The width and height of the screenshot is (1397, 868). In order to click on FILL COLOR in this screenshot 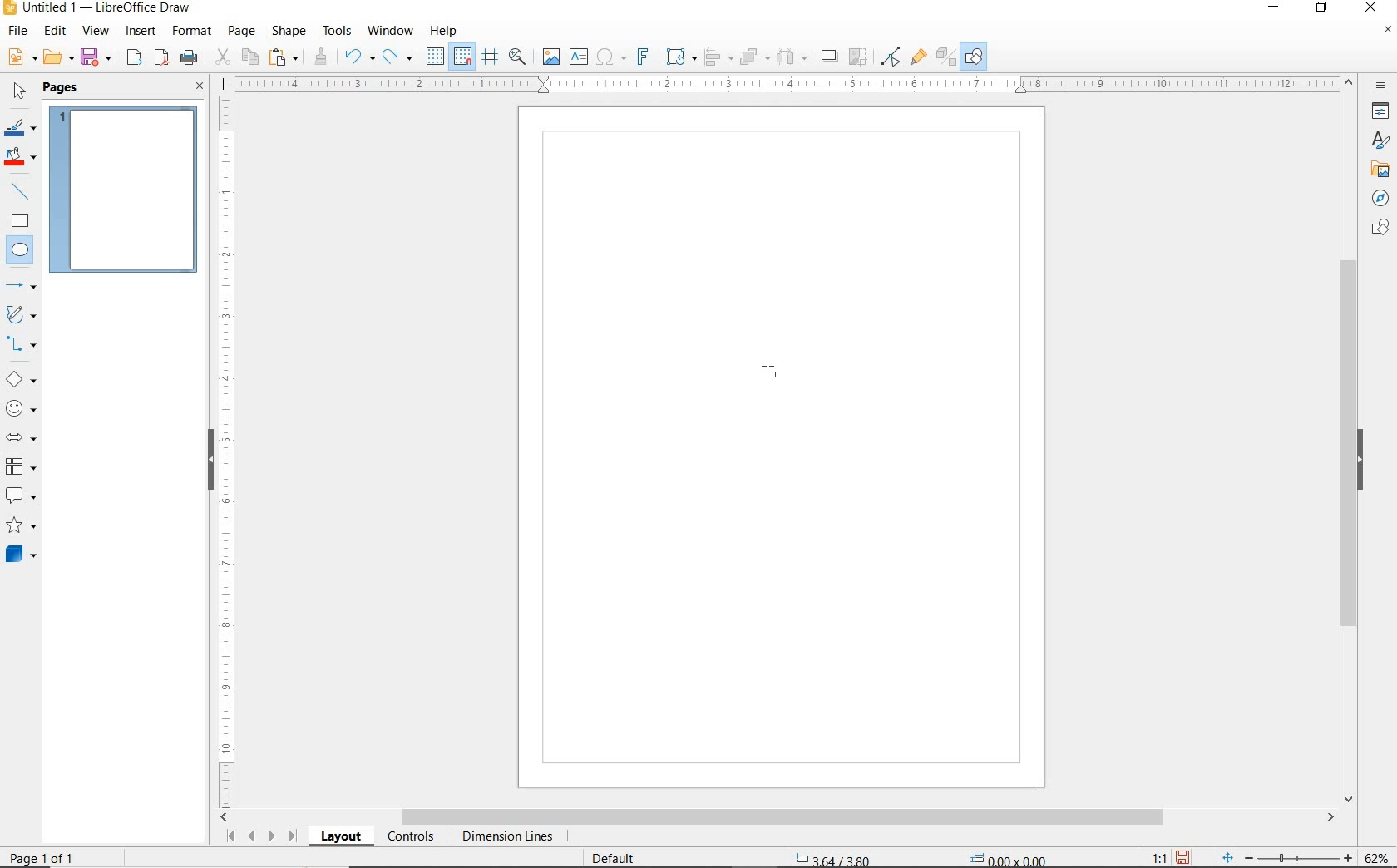, I will do `click(22, 158)`.